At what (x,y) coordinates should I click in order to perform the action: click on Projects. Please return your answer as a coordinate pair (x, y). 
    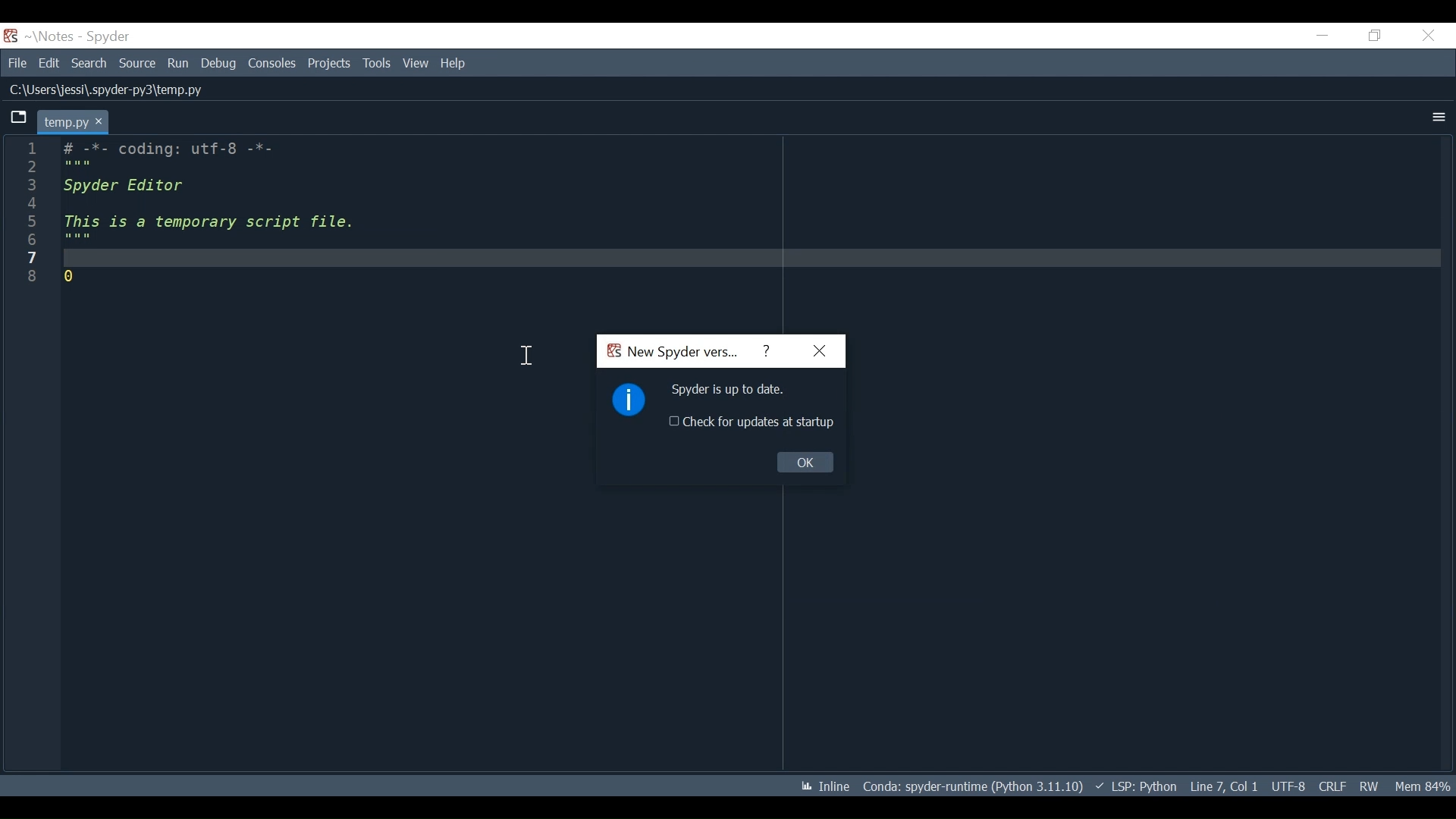
    Looking at the image, I should click on (329, 63).